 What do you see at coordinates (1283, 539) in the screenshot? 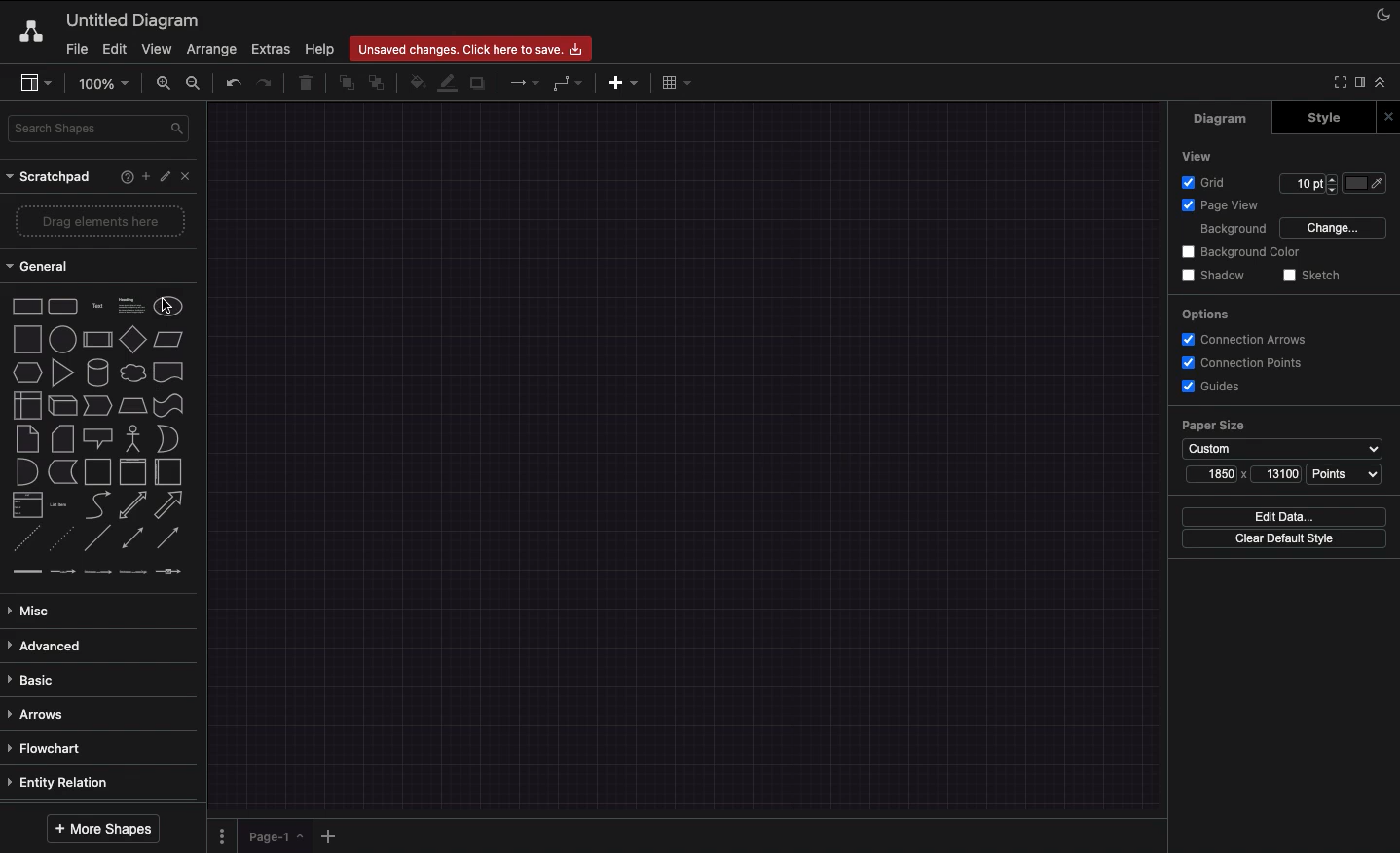
I see `Clear default style` at bounding box center [1283, 539].